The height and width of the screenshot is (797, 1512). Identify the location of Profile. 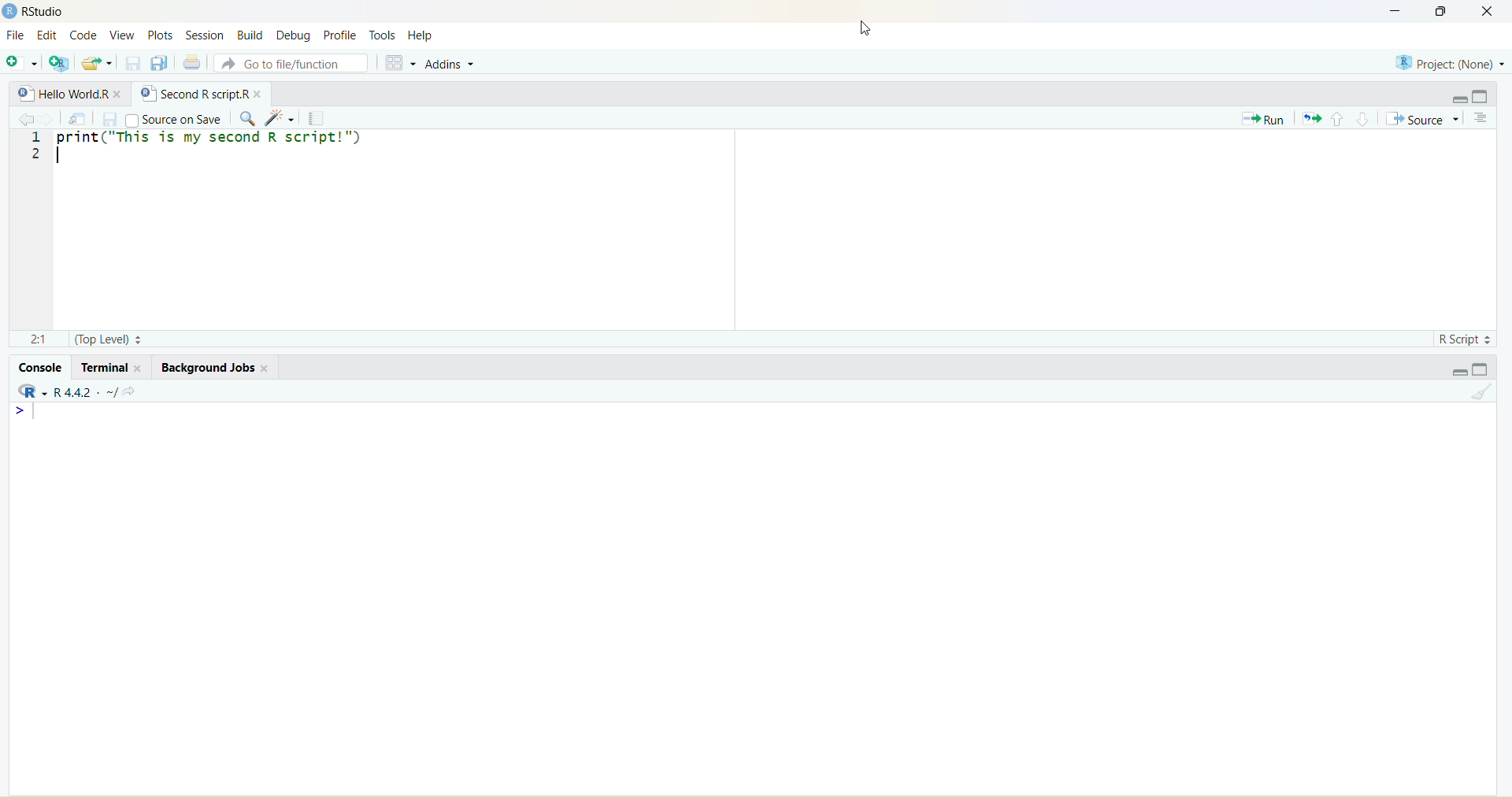
(339, 35).